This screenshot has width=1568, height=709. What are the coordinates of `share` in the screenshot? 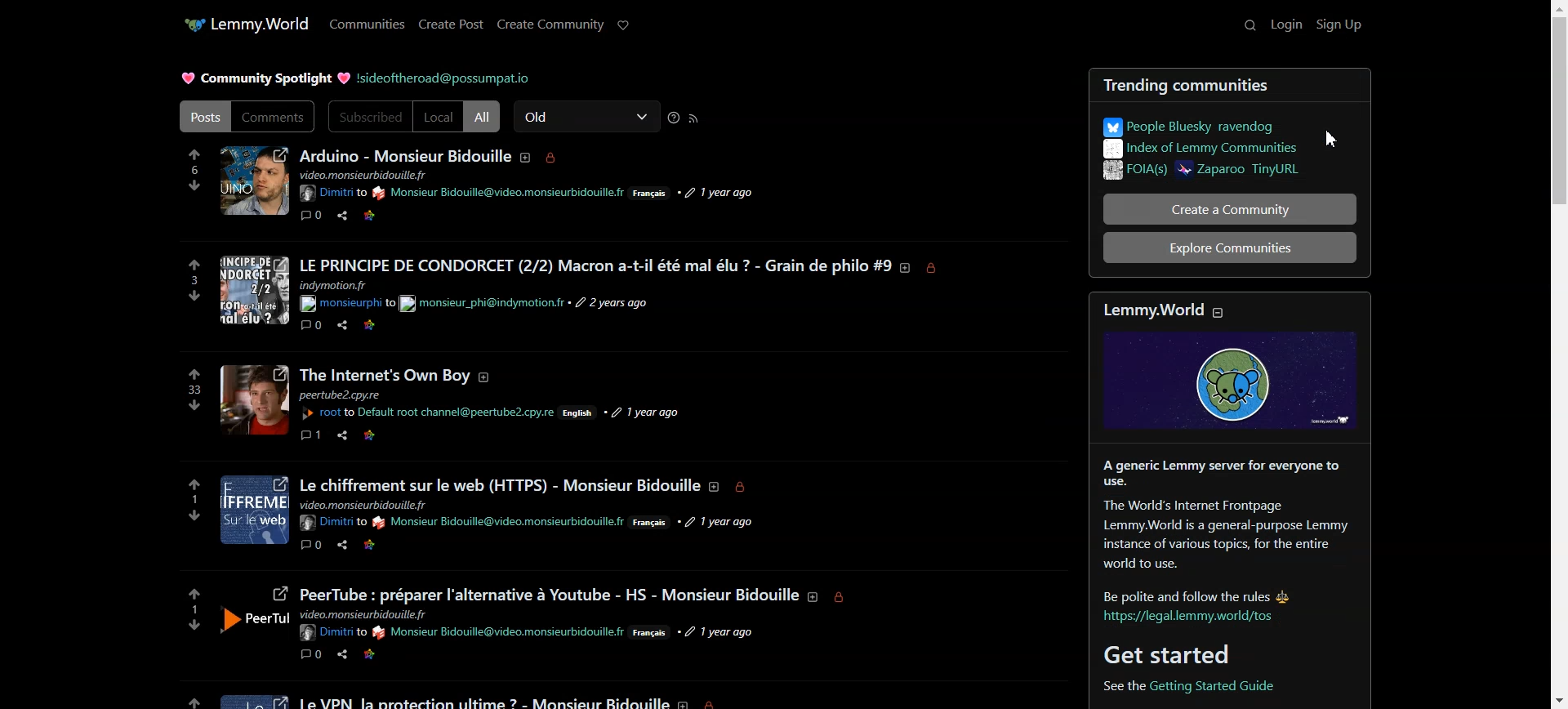 It's located at (343, 436).